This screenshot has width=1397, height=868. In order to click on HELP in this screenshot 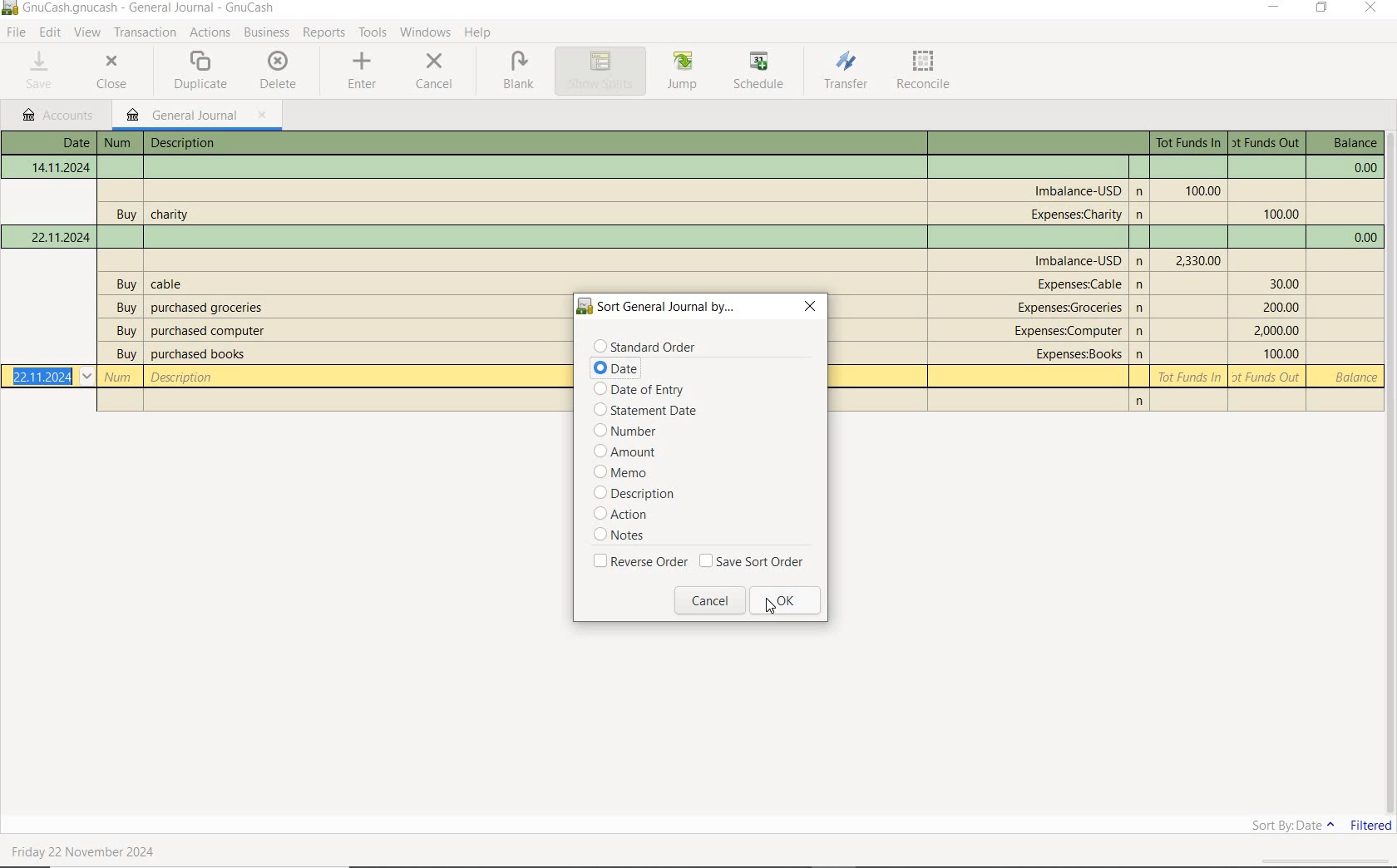, I will do `click(481, 32)`.